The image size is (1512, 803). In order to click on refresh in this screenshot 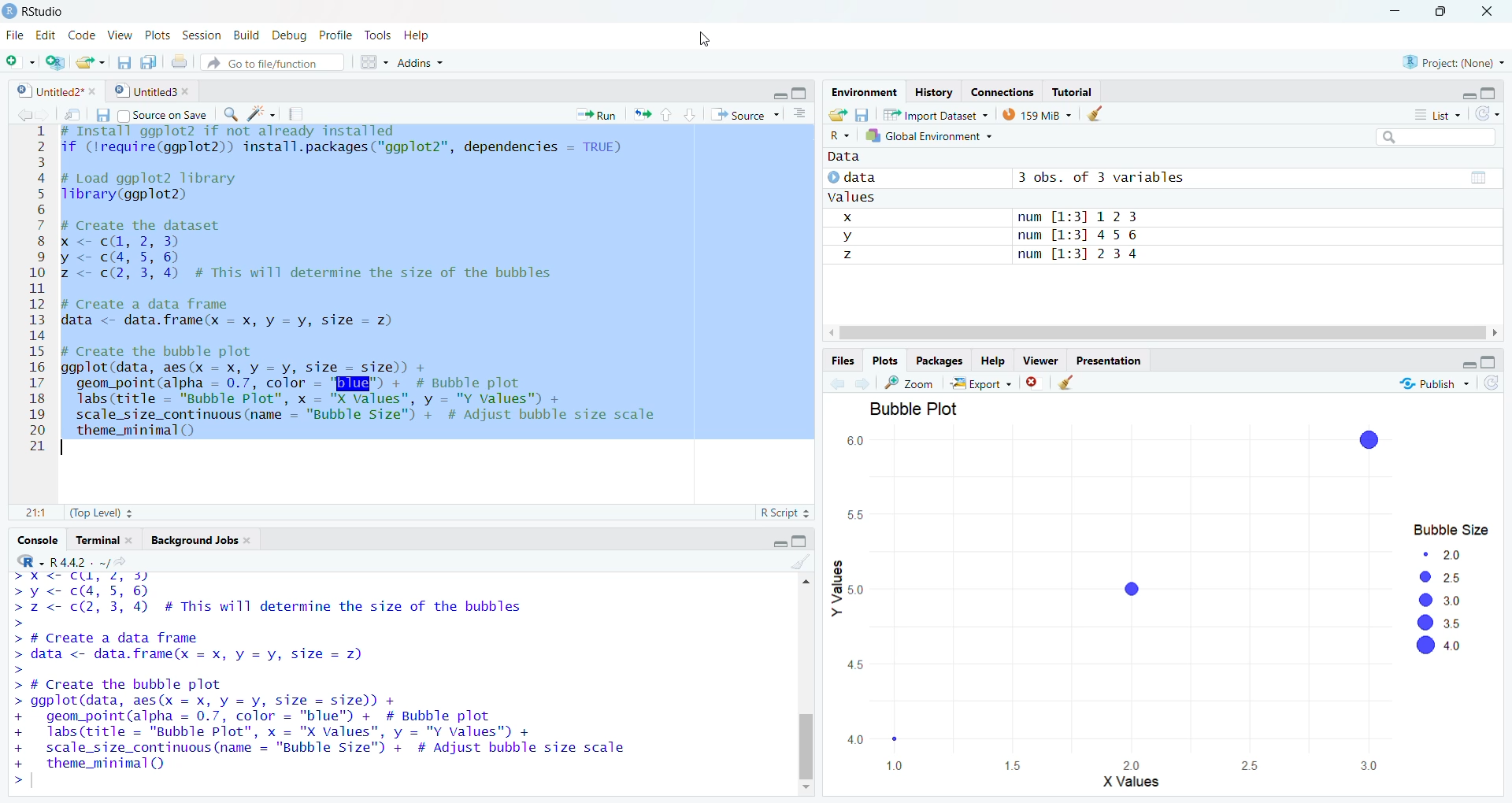, I will do `click(1492, 113)`.